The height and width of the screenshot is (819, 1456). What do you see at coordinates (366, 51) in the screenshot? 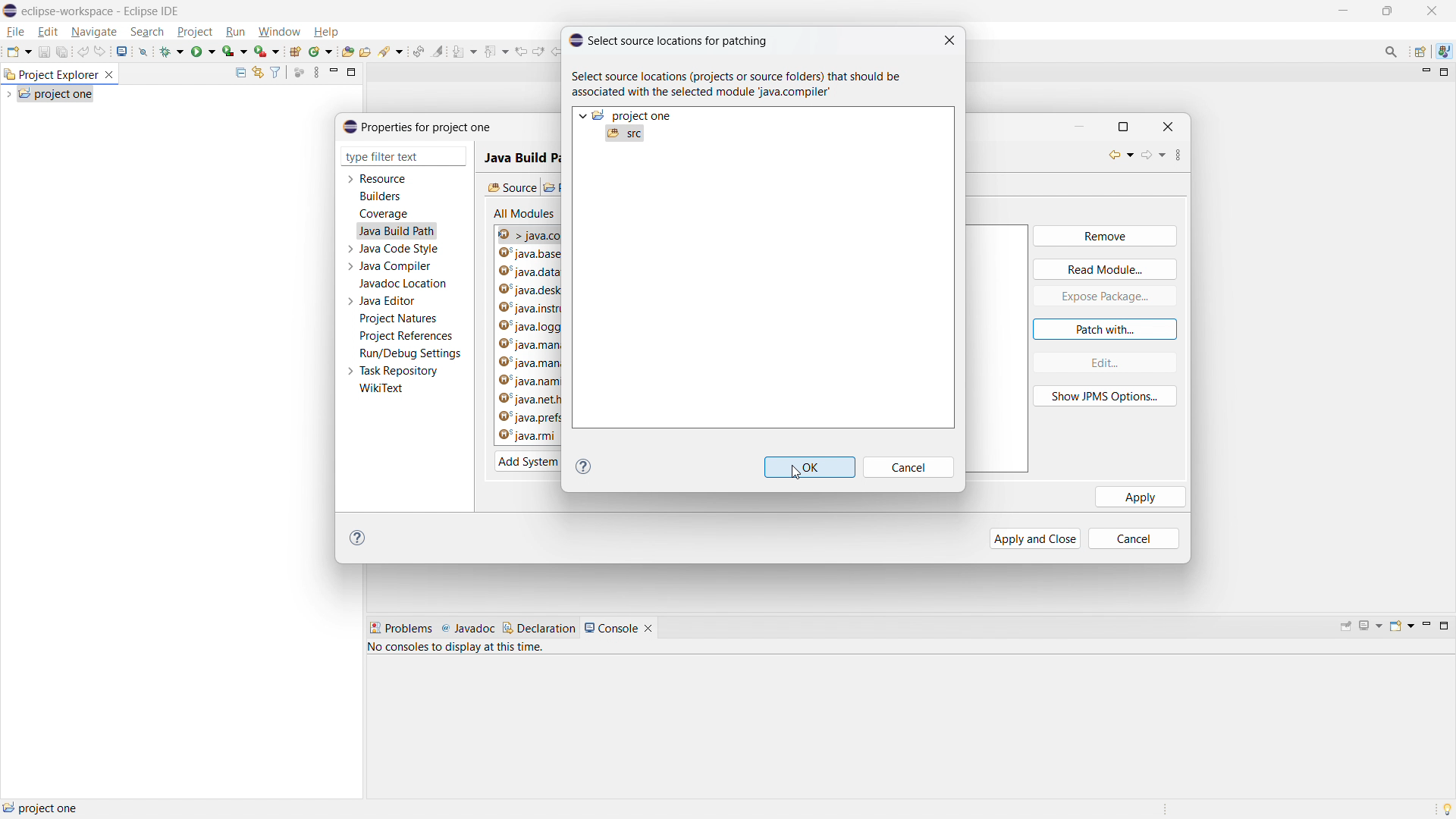
I see `open task` at bounding box center [366, 51].